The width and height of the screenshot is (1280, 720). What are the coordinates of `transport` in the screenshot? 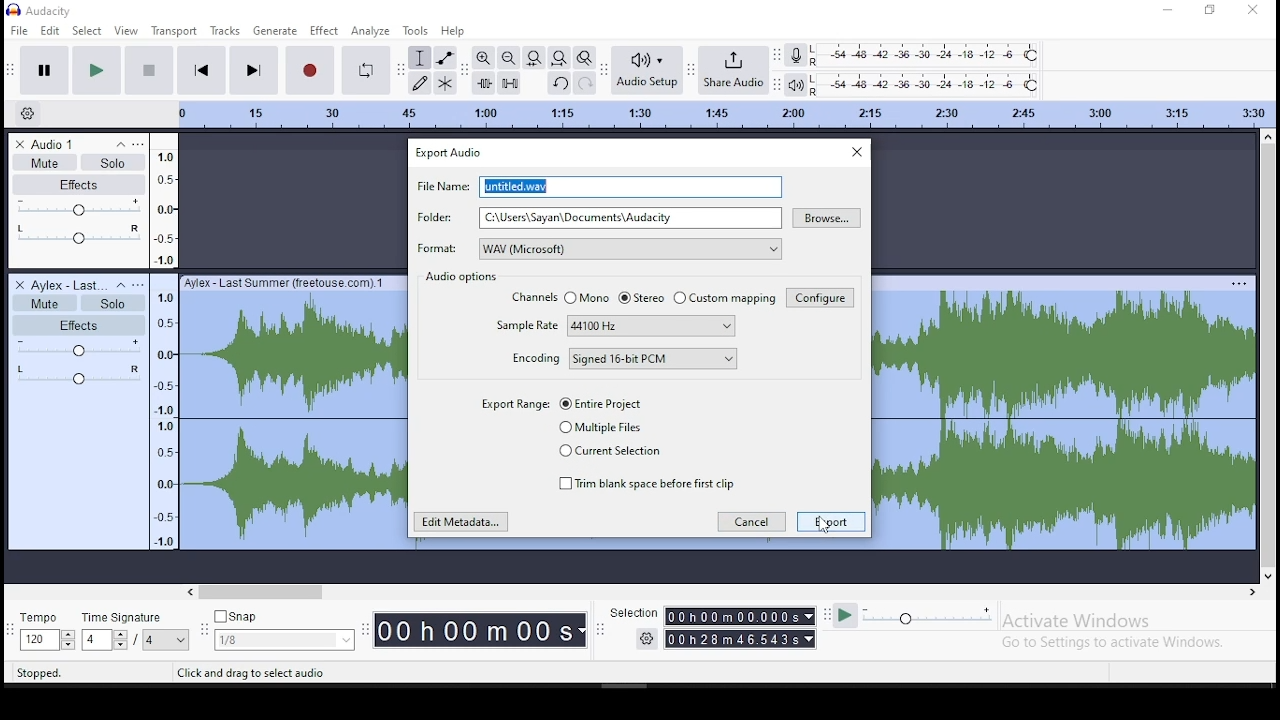 It's located at (176, 31).